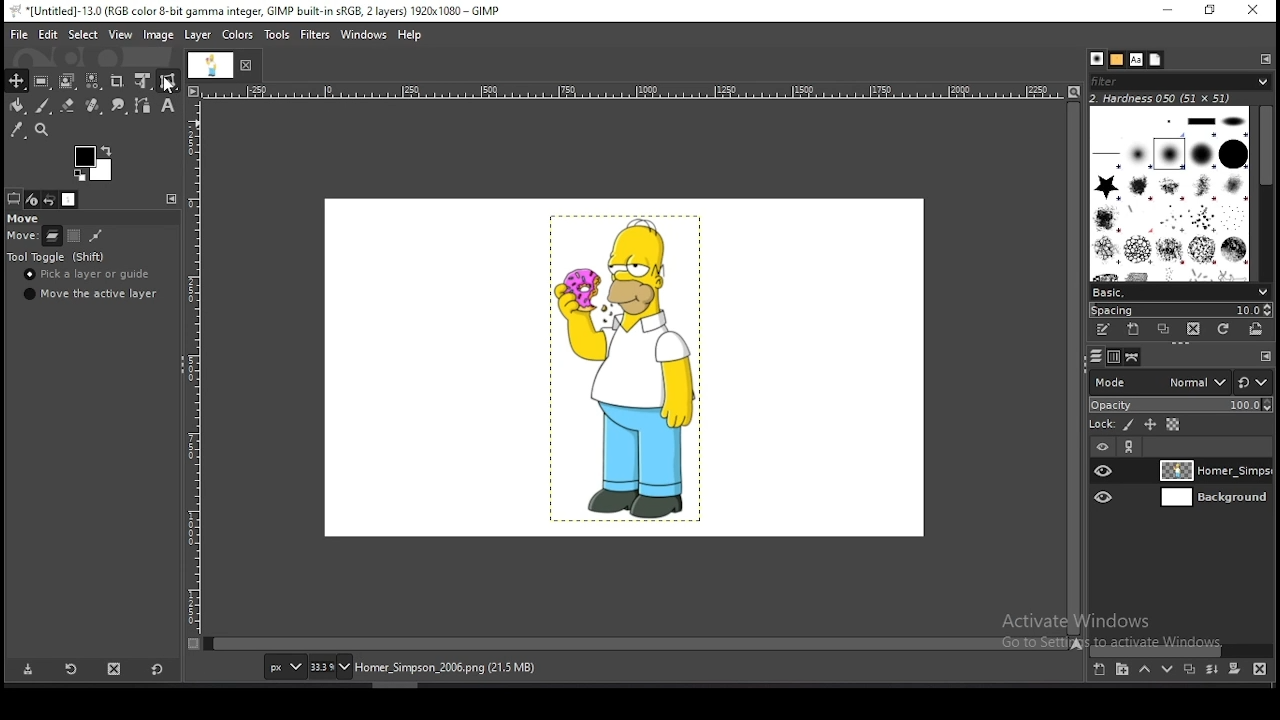 The width and height of the screenshot is (1280, 720). Describe the element at coordinates (41, 129) in the screenshot. I see `zoom tool` at that location.